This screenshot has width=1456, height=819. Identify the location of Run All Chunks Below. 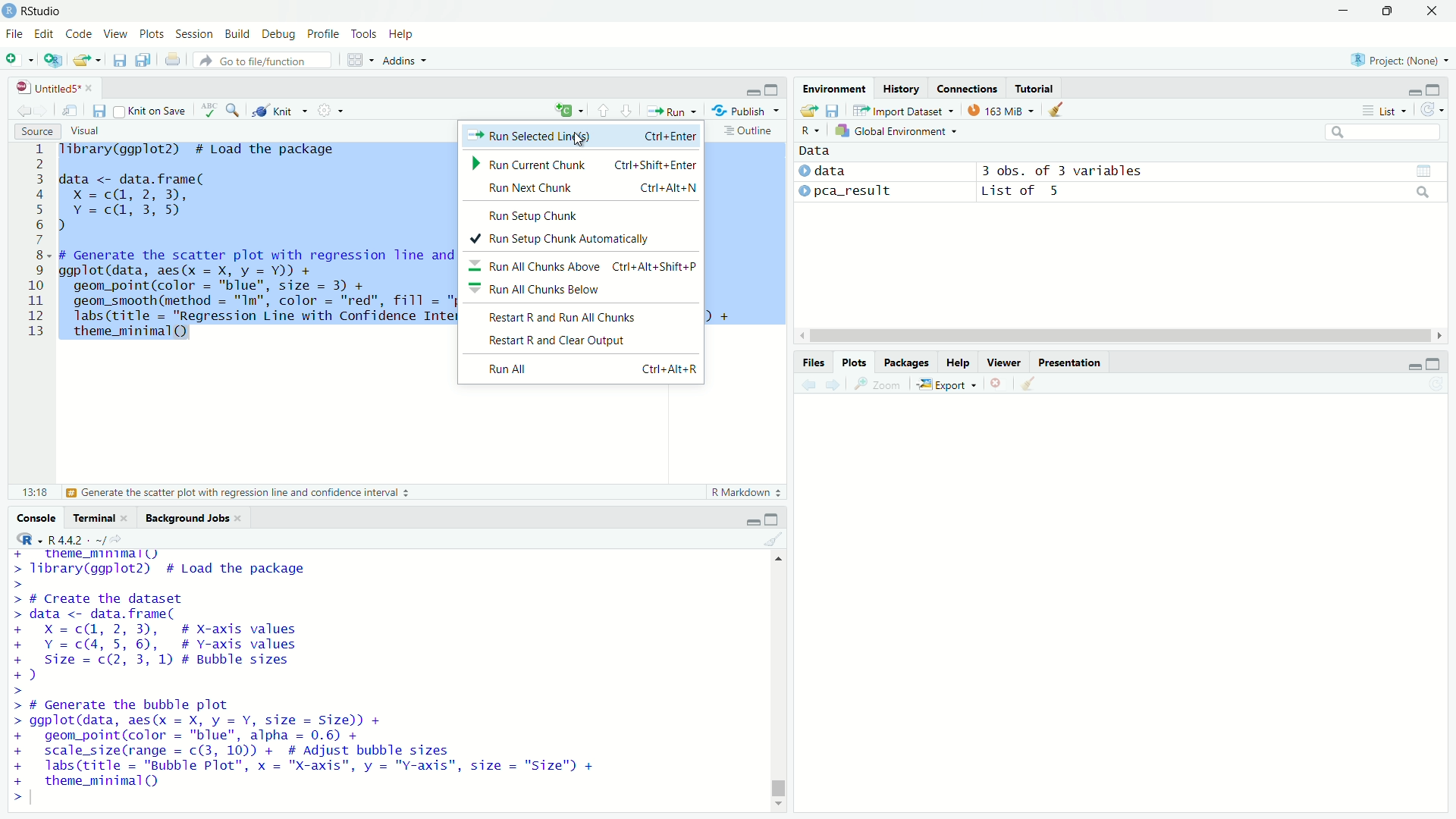
(581, 289).